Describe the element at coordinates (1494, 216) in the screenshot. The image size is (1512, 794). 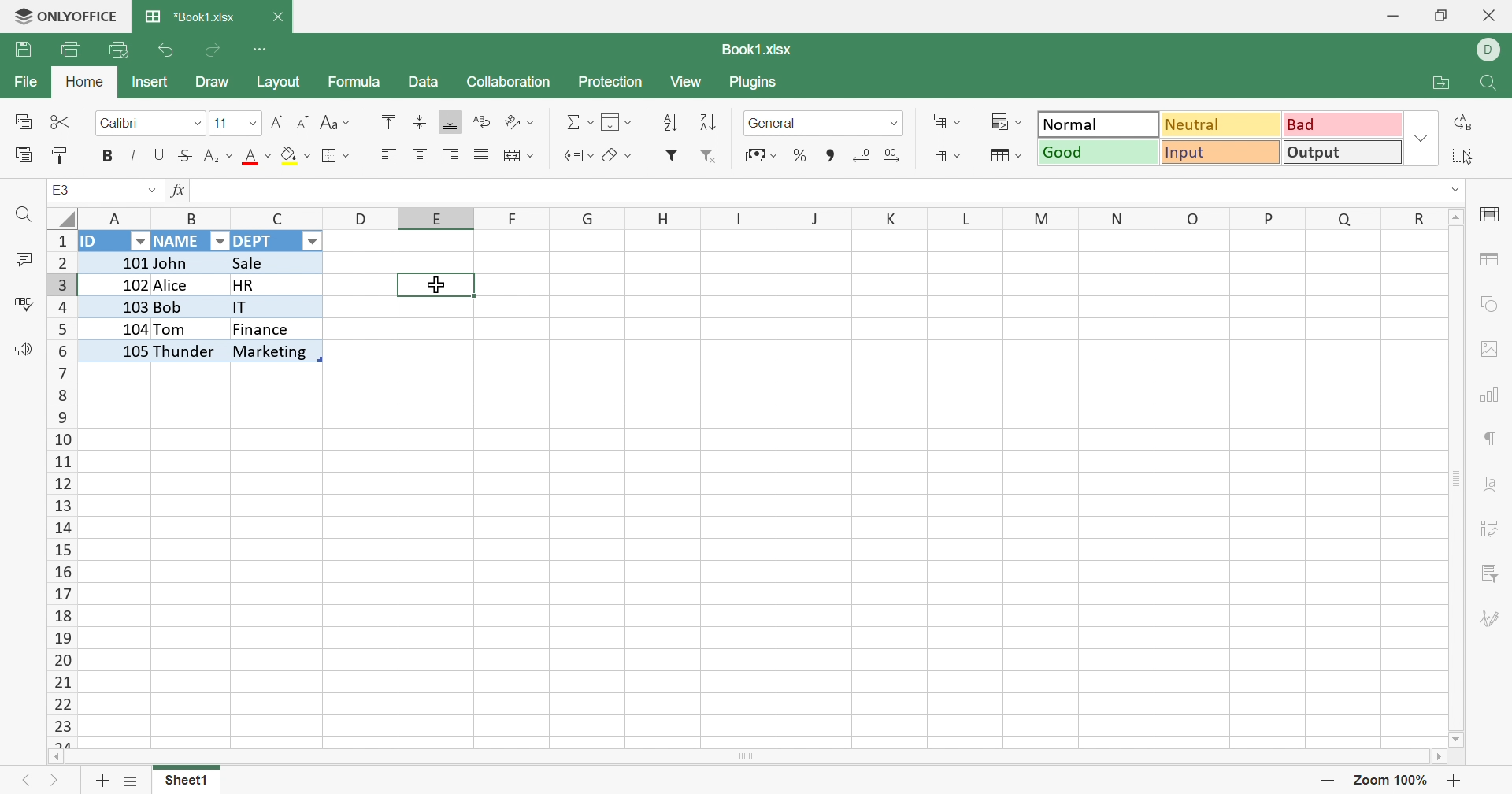
I see `cell settings` at that location.